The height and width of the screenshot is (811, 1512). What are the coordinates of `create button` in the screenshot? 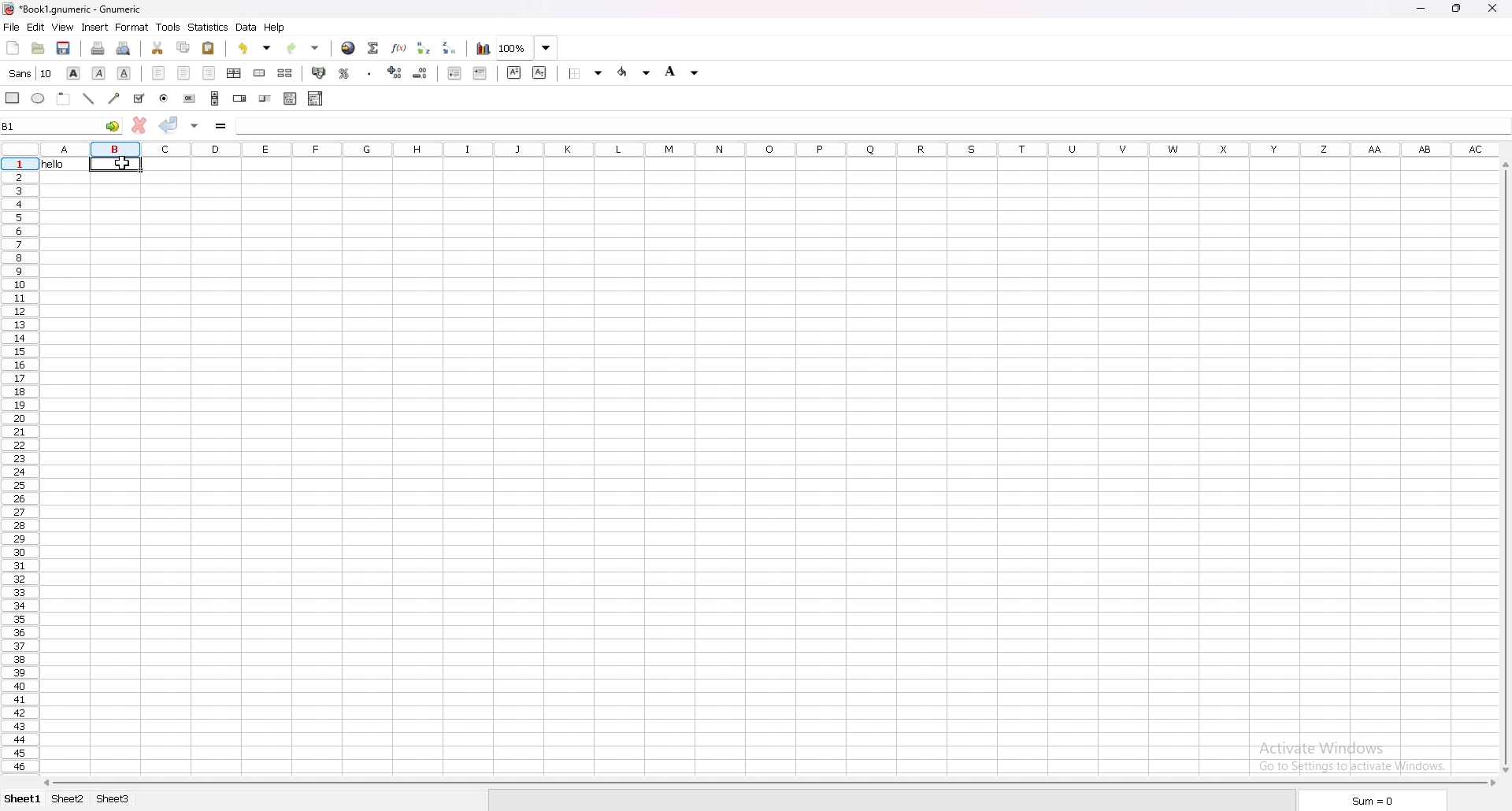 It's located at (190, 98).